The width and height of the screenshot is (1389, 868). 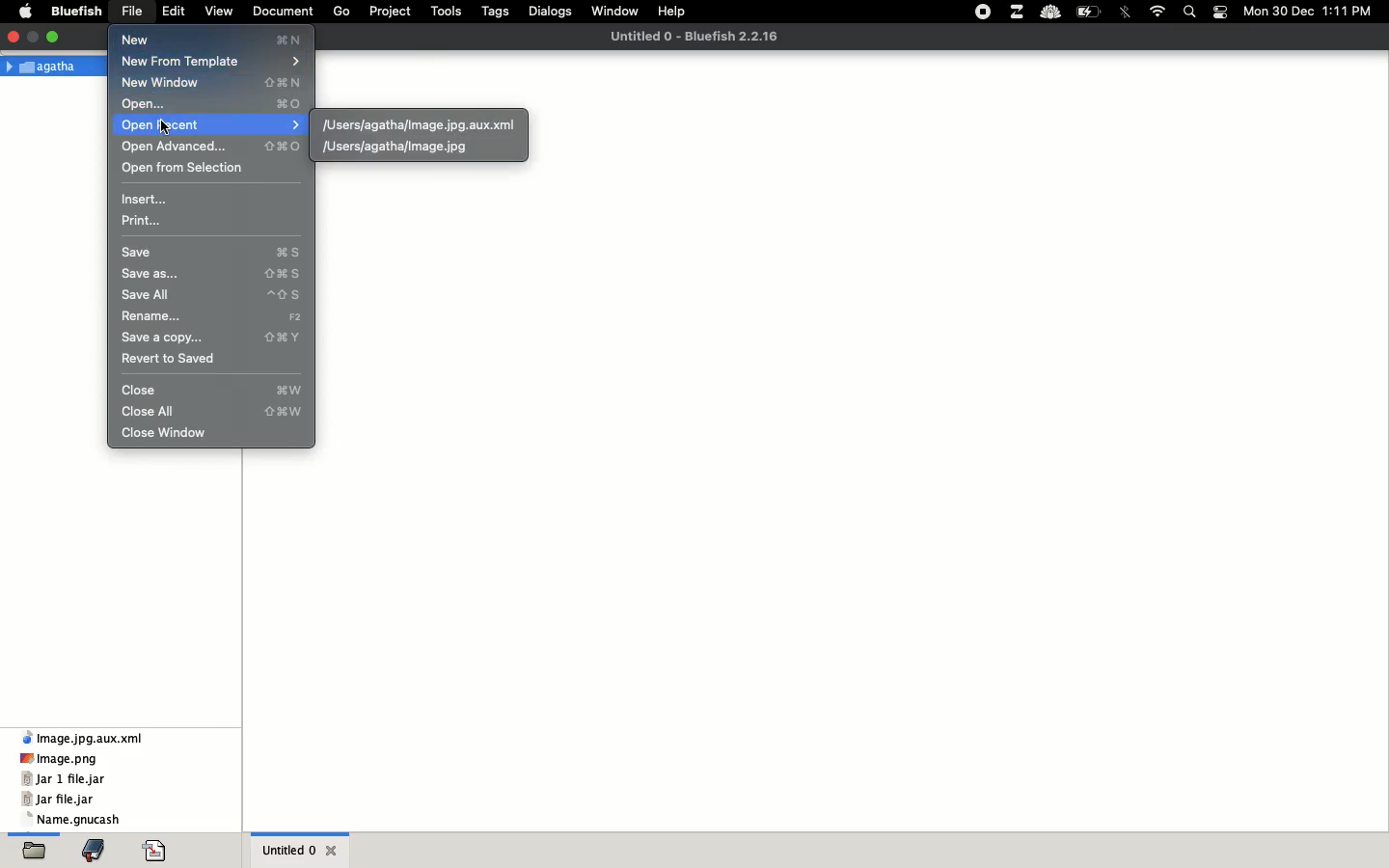 What do you see at coordinates (64, 779) in the screenshot?
I see `jar 1 file.jar` at bounding box center [64, 779].